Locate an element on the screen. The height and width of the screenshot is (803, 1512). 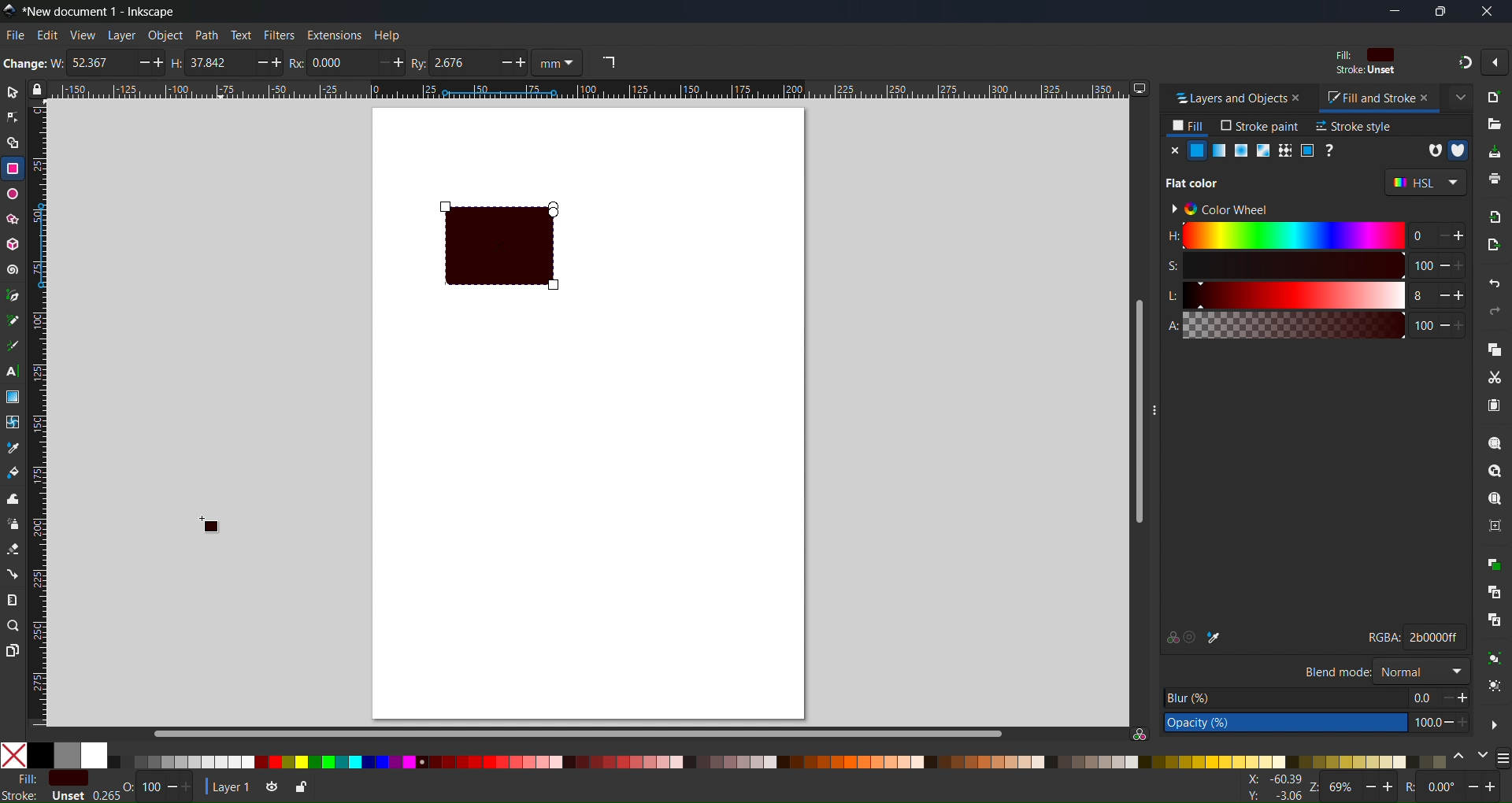
Create clone is located at coordinates (1494, 590).